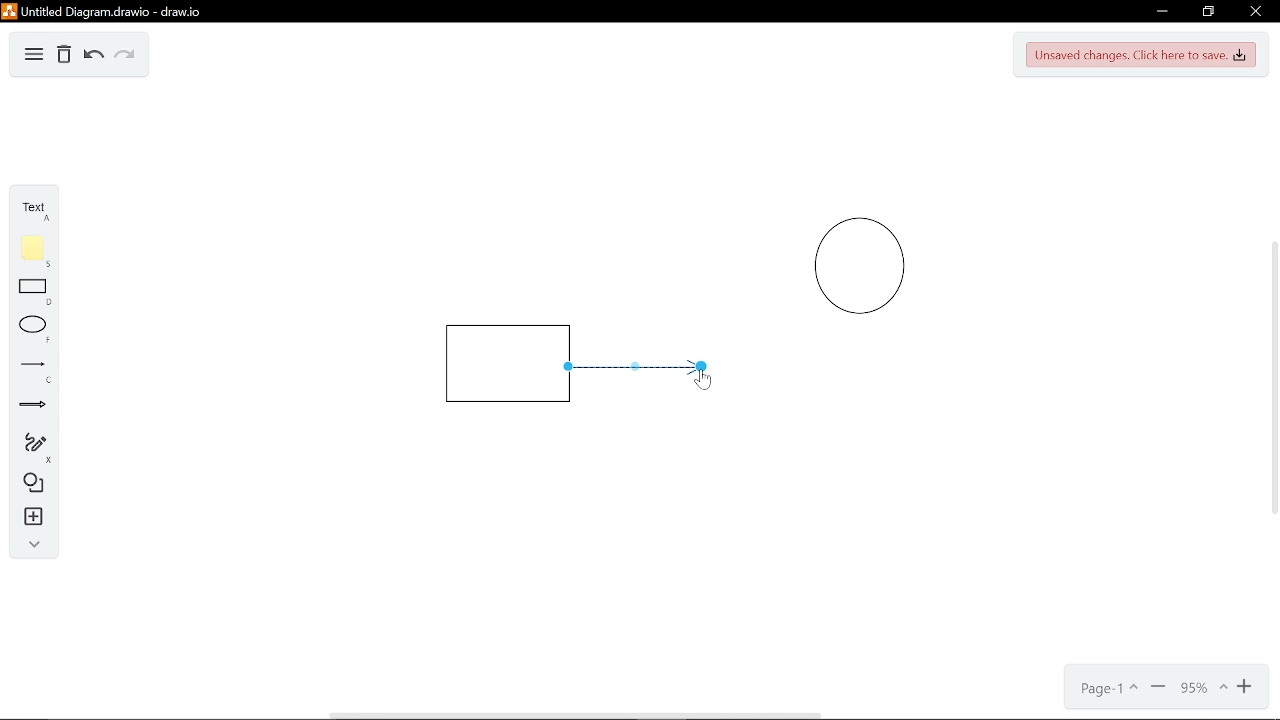 The image size is (1280, 720). What do you see at coordinates (29, 517) in the screenshot?
I see `Insert` at bounding box center [29, 517].